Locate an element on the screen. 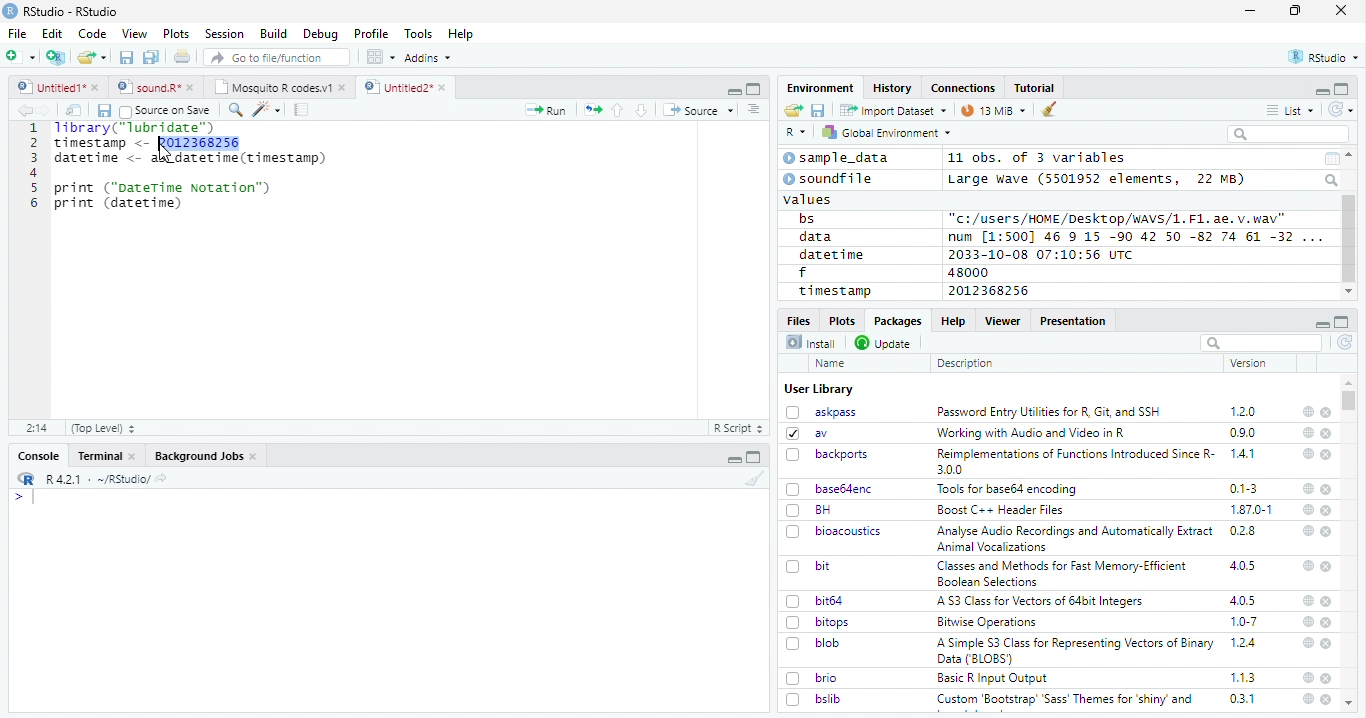  bitops is located at coordinates (819, 622).